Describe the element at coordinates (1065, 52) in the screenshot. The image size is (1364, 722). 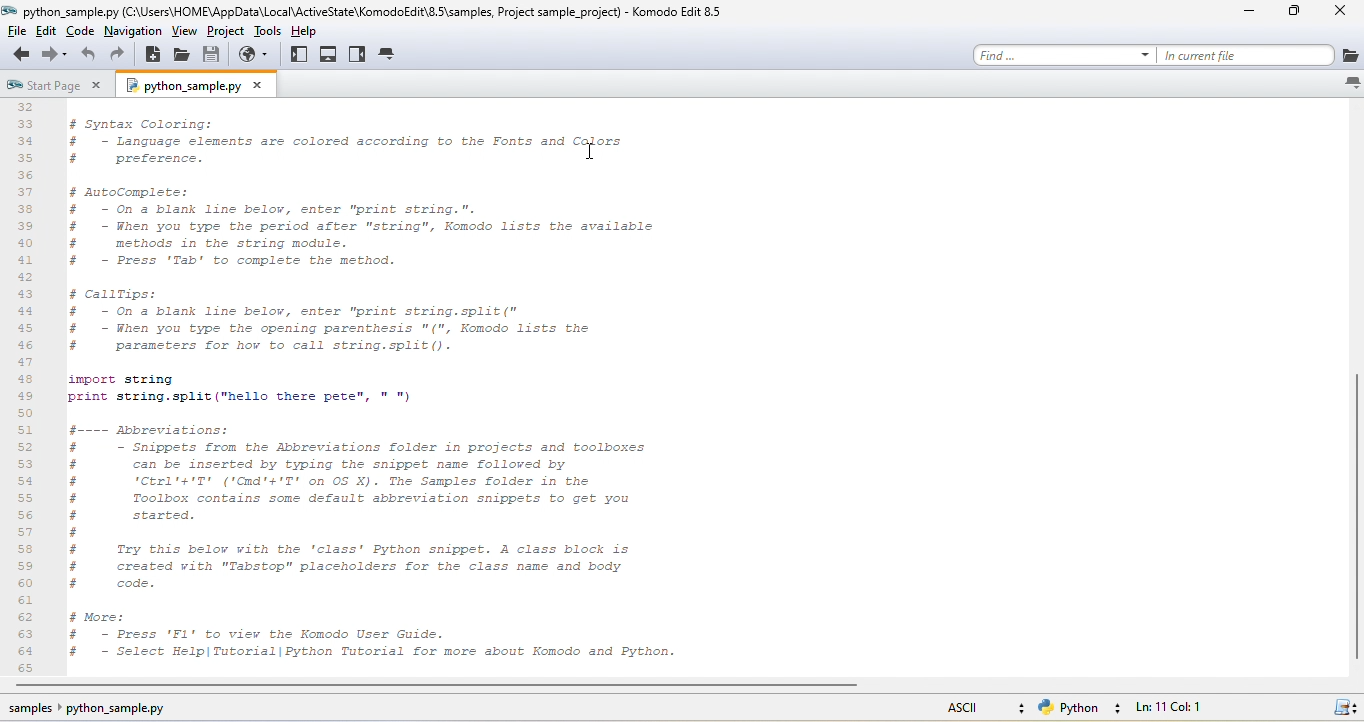
I see `find` at that location.